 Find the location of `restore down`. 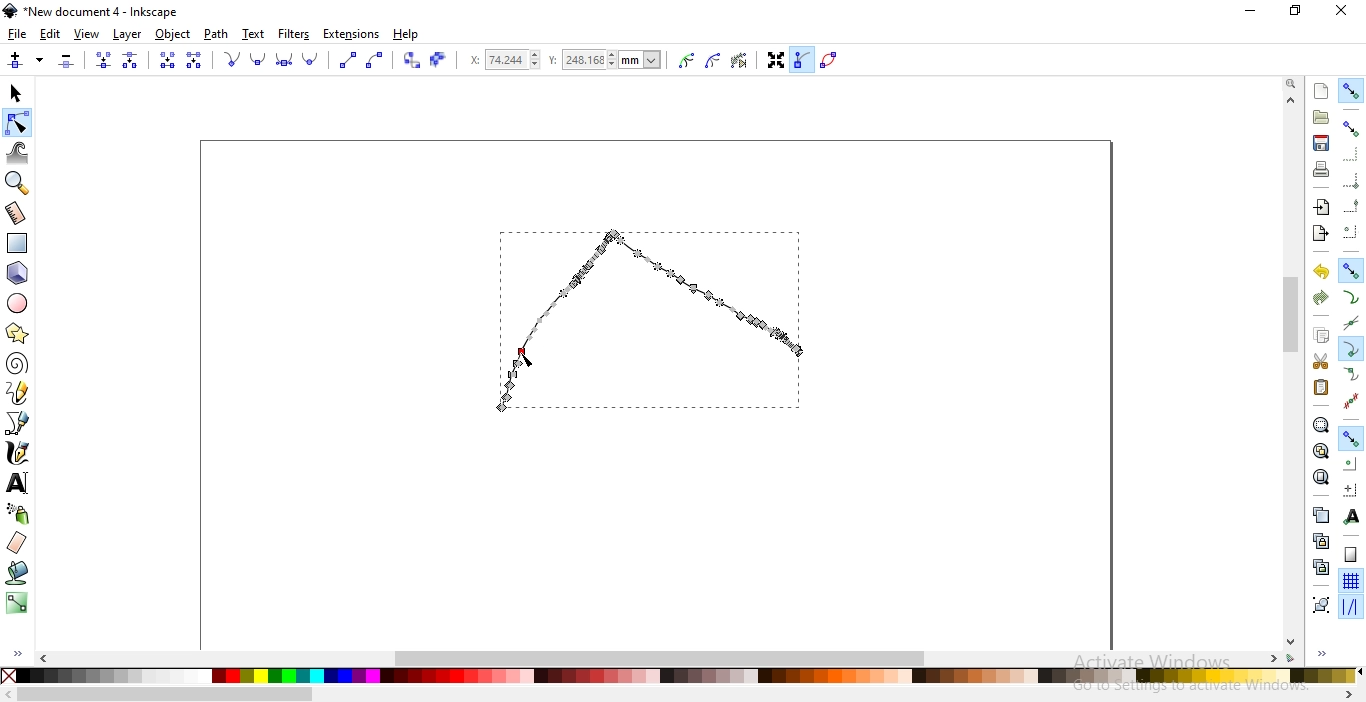

restore down is located at coordinates (1296, 11).